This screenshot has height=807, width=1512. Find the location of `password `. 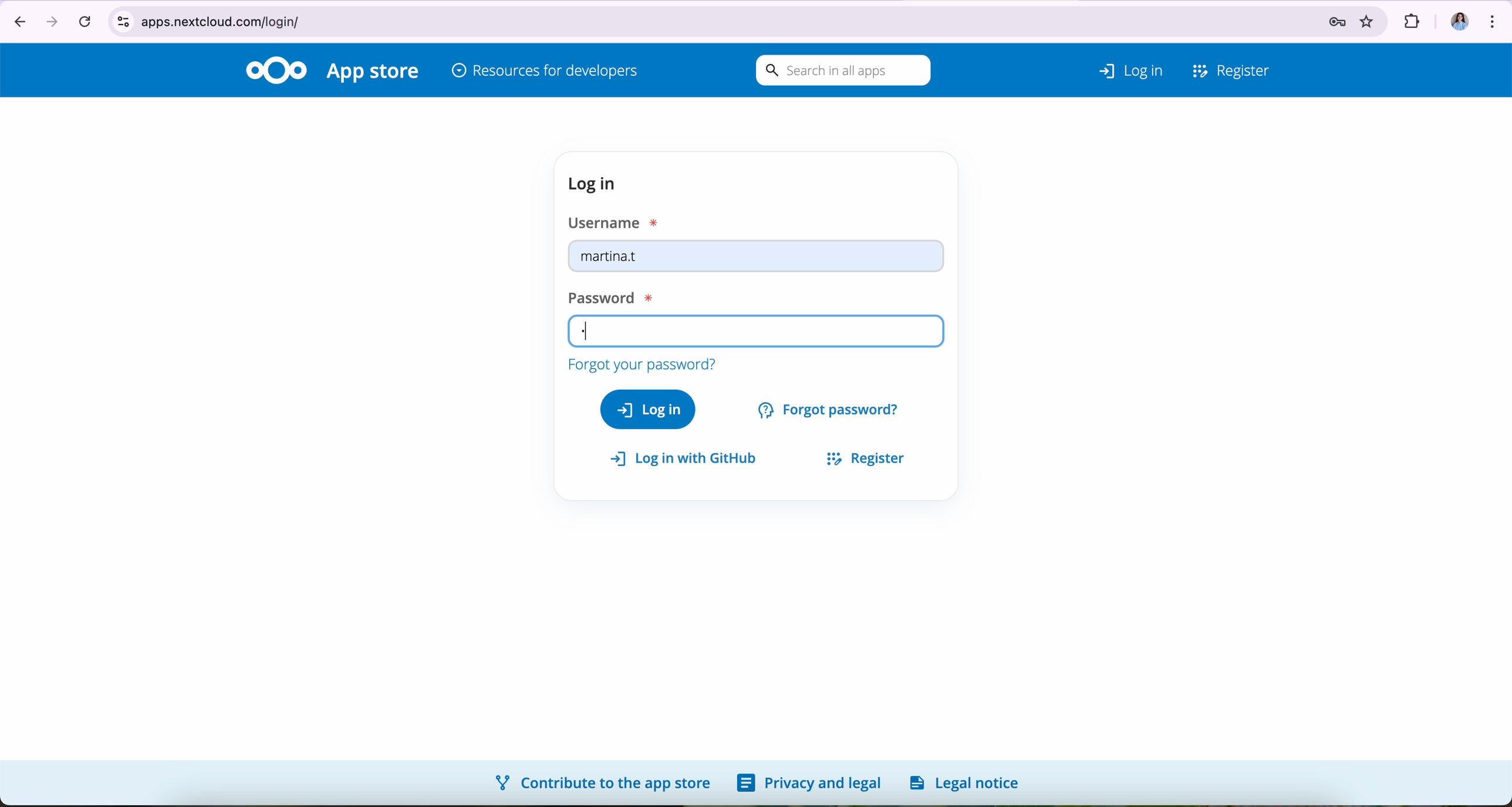

password  is located at coordinates (755, 332).